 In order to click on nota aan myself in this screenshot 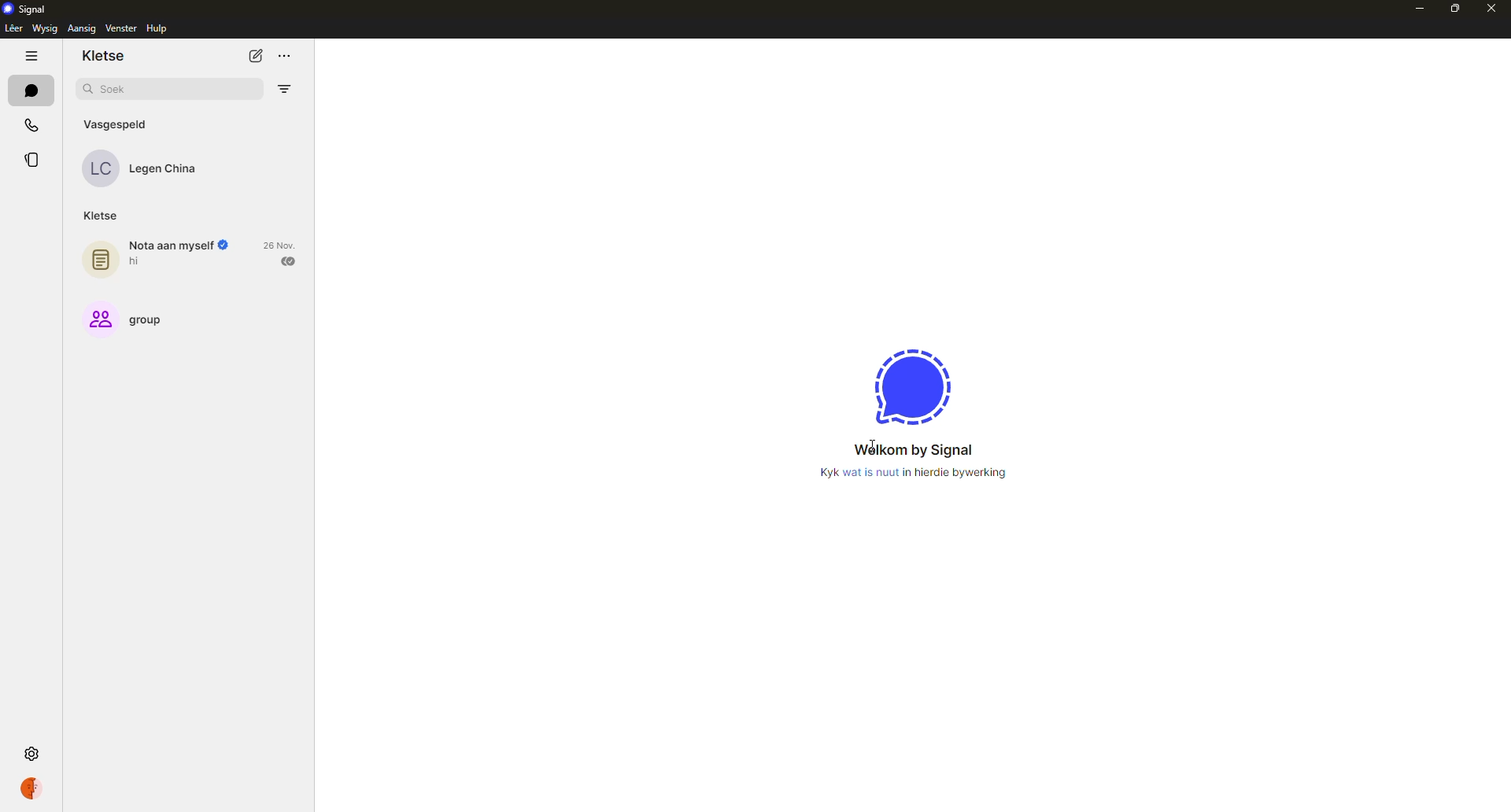, I will do `click(154, 255)`.